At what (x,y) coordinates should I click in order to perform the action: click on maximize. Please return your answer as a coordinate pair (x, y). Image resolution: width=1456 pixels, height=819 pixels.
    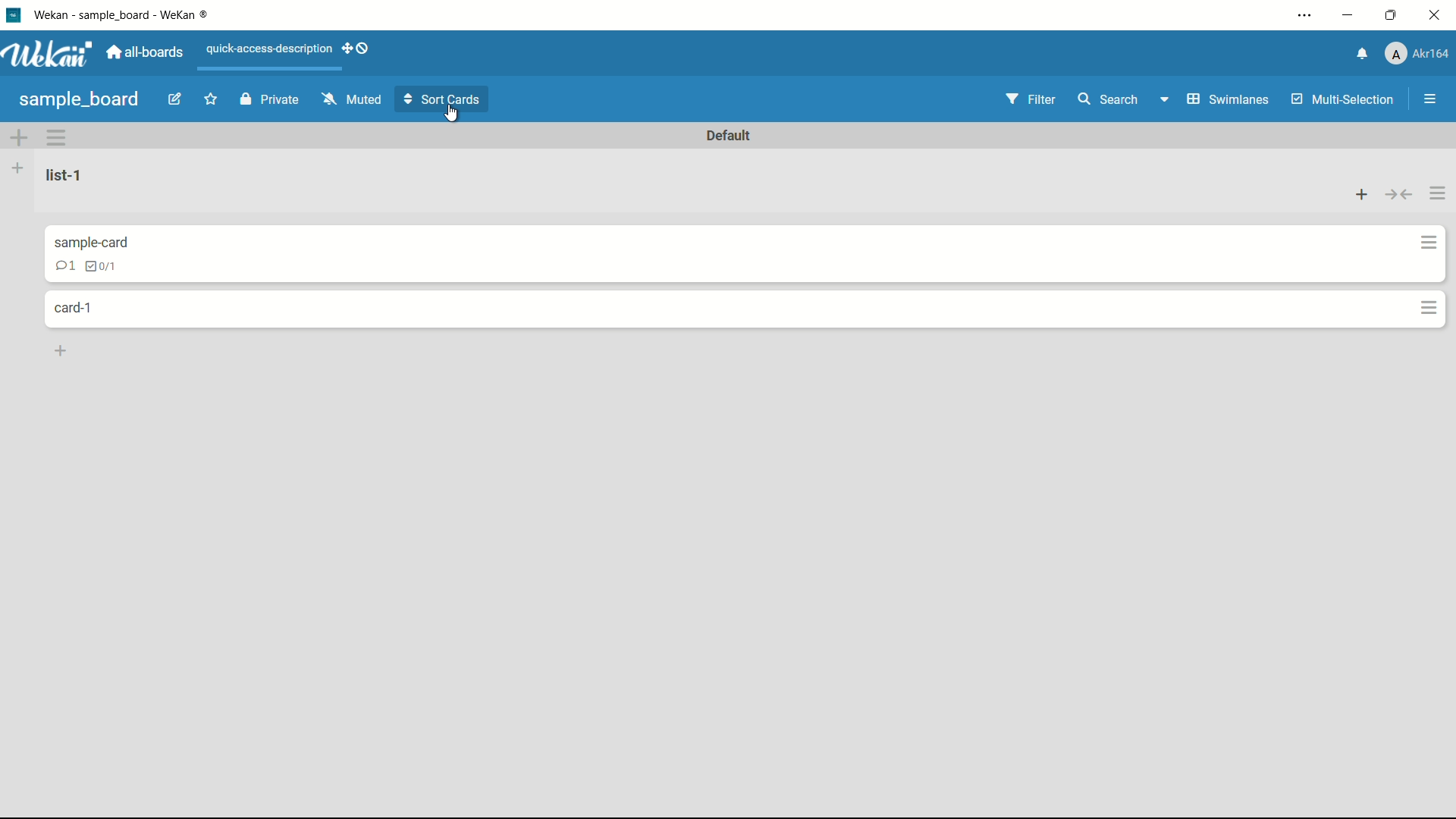
    Looking at the image, I should click on (1393, 15).